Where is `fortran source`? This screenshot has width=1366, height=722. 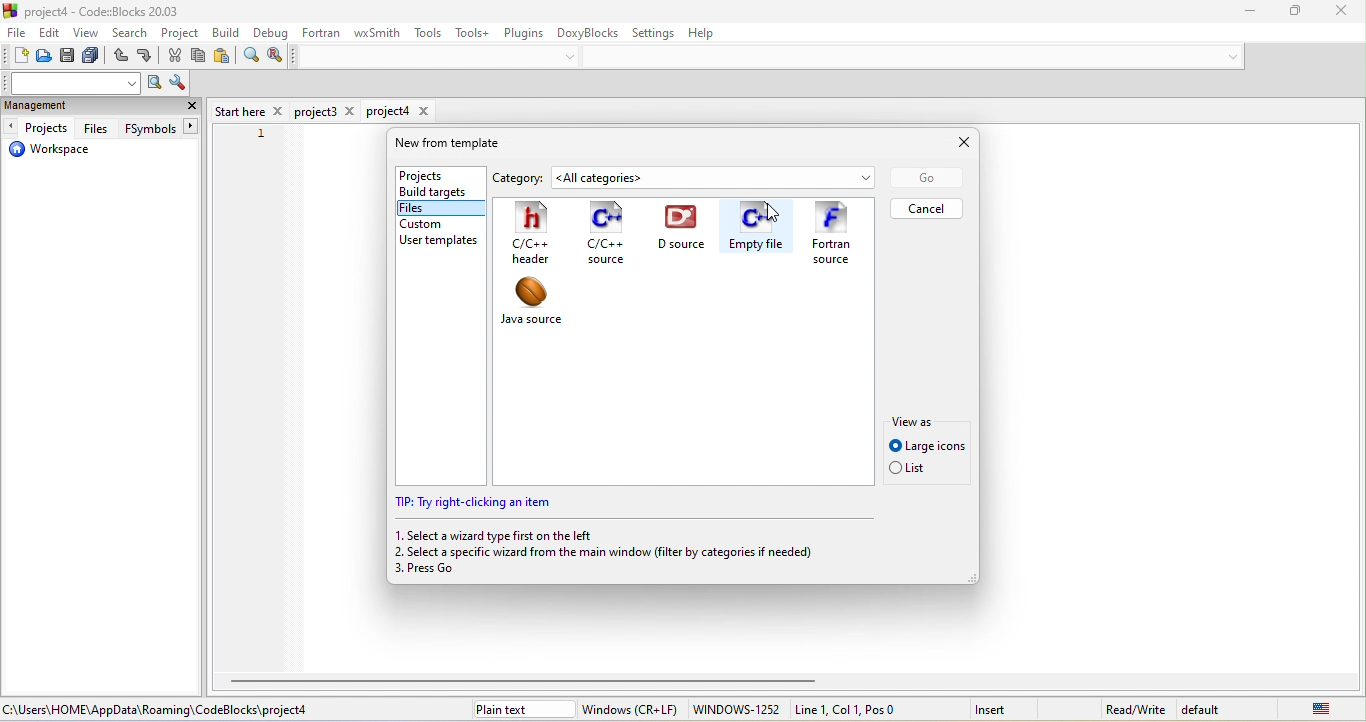
fortran source is located at coordinates (835, 234).